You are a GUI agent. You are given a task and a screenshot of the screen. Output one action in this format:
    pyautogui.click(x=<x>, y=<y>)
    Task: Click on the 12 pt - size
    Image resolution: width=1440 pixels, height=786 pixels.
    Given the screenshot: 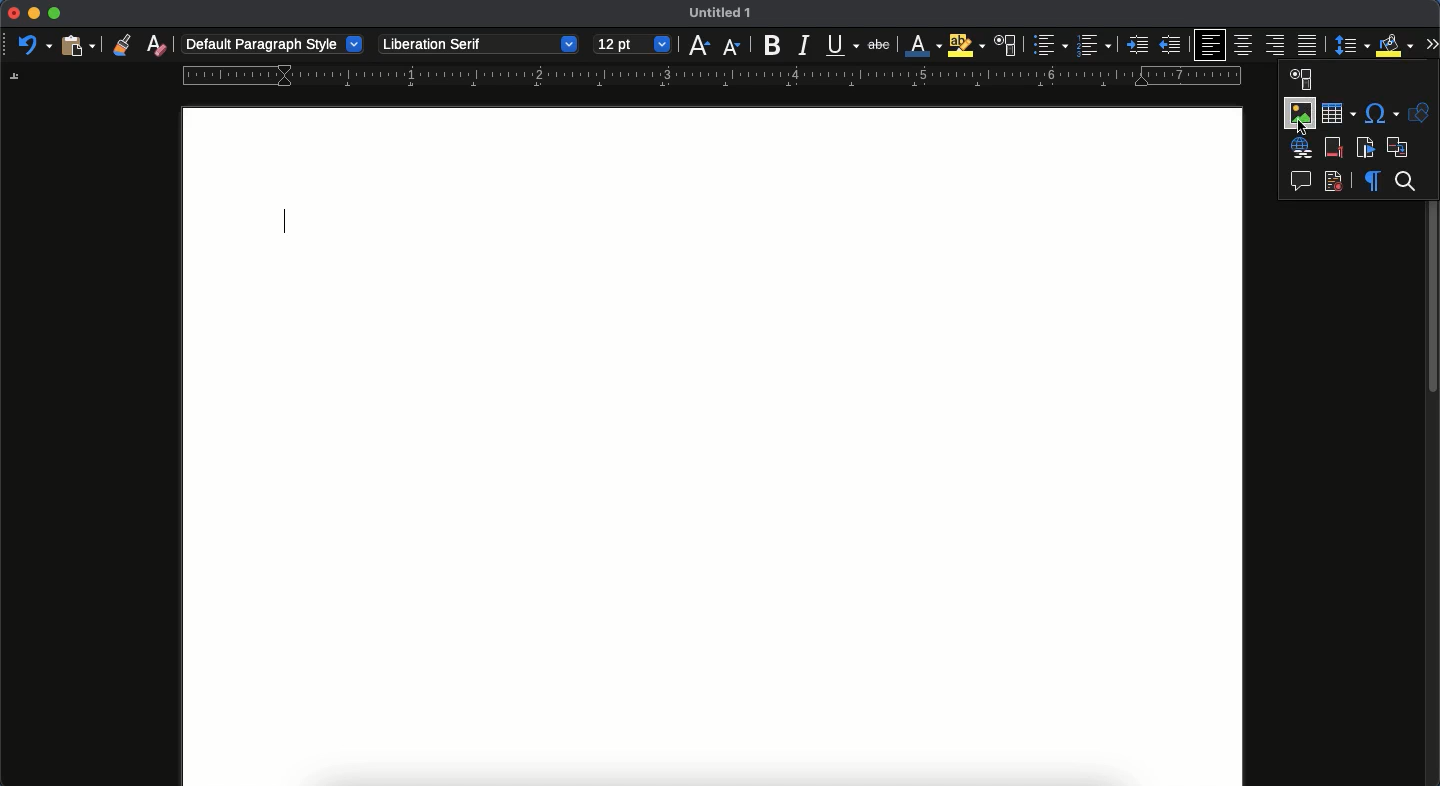 What is the action you would take?
    pyautogui.click(x=632, y=46)
    